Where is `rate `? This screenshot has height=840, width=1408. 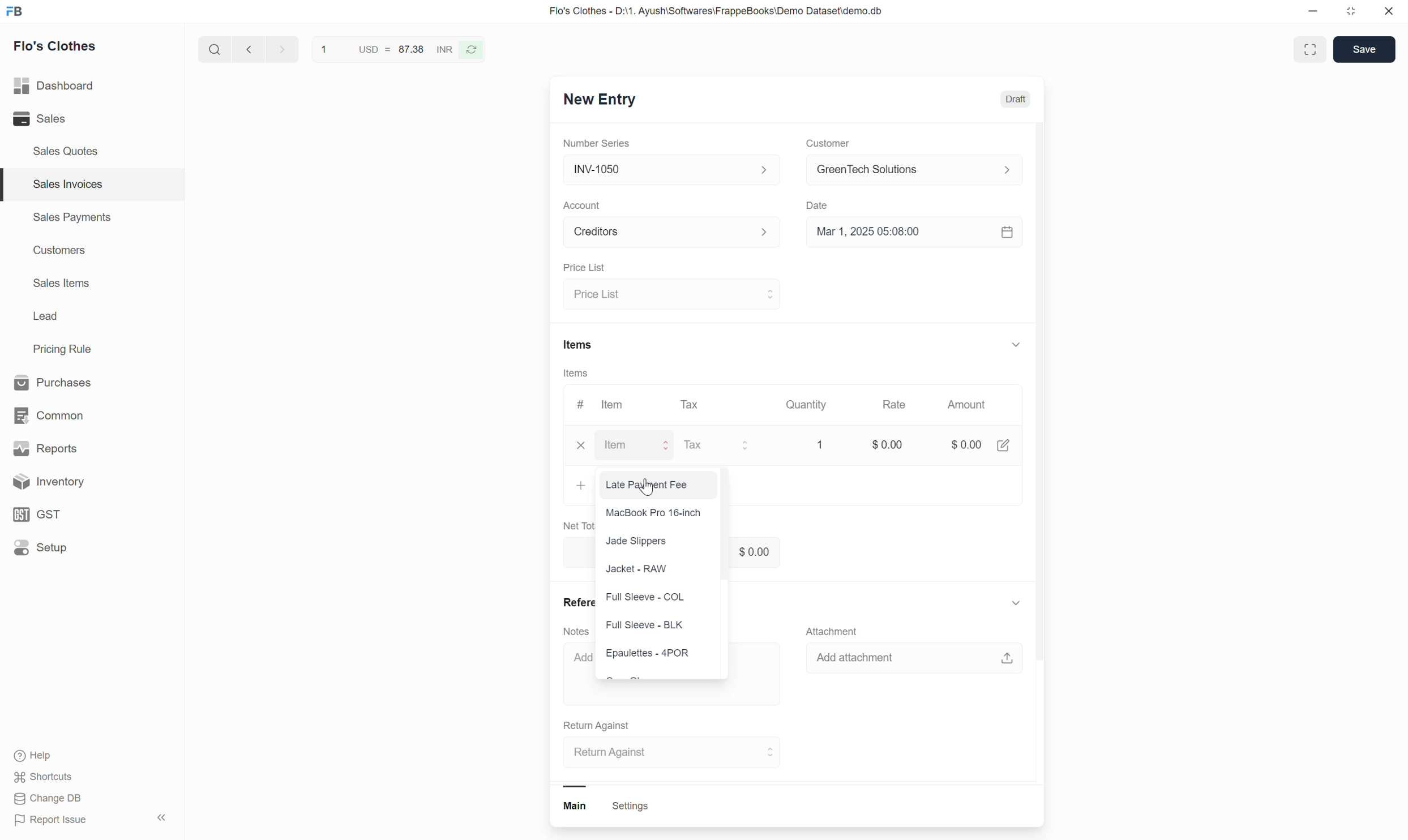
rate  is located at coordinates (883, 444).